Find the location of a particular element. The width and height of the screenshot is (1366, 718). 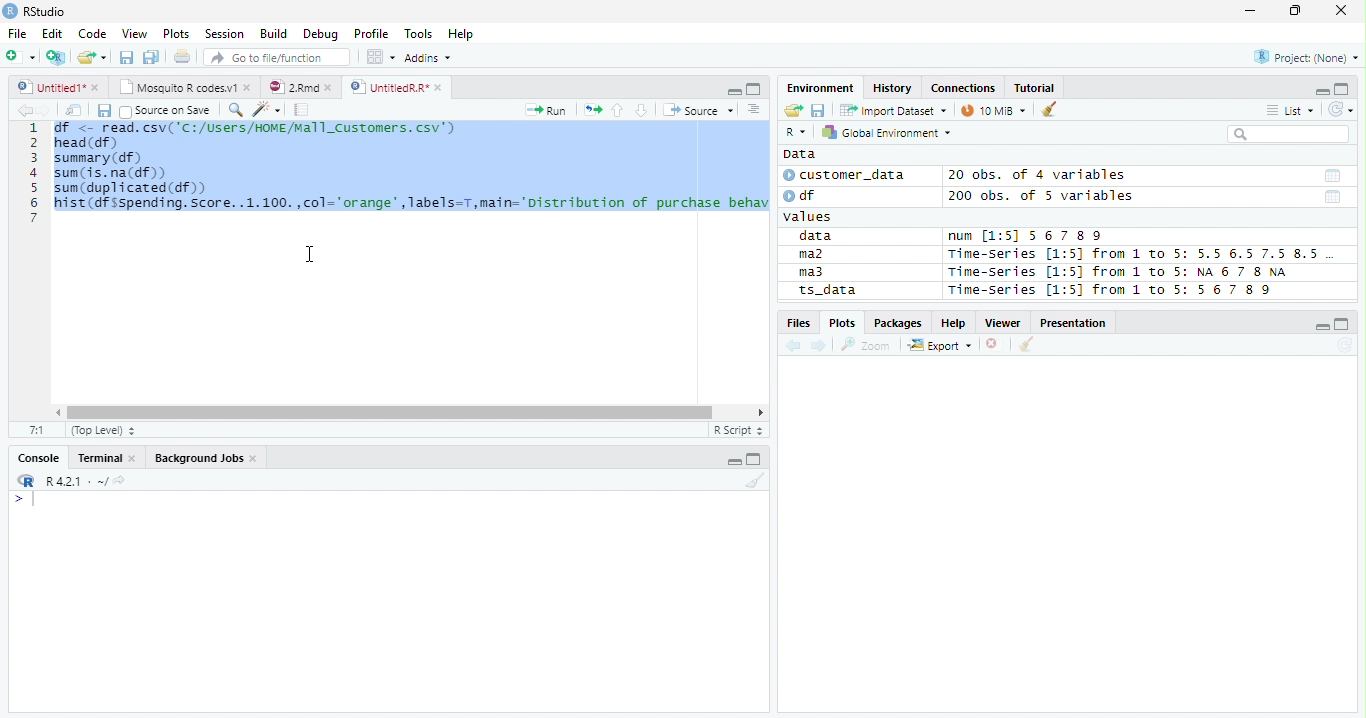

Edit is located at coordinates (51, 32).